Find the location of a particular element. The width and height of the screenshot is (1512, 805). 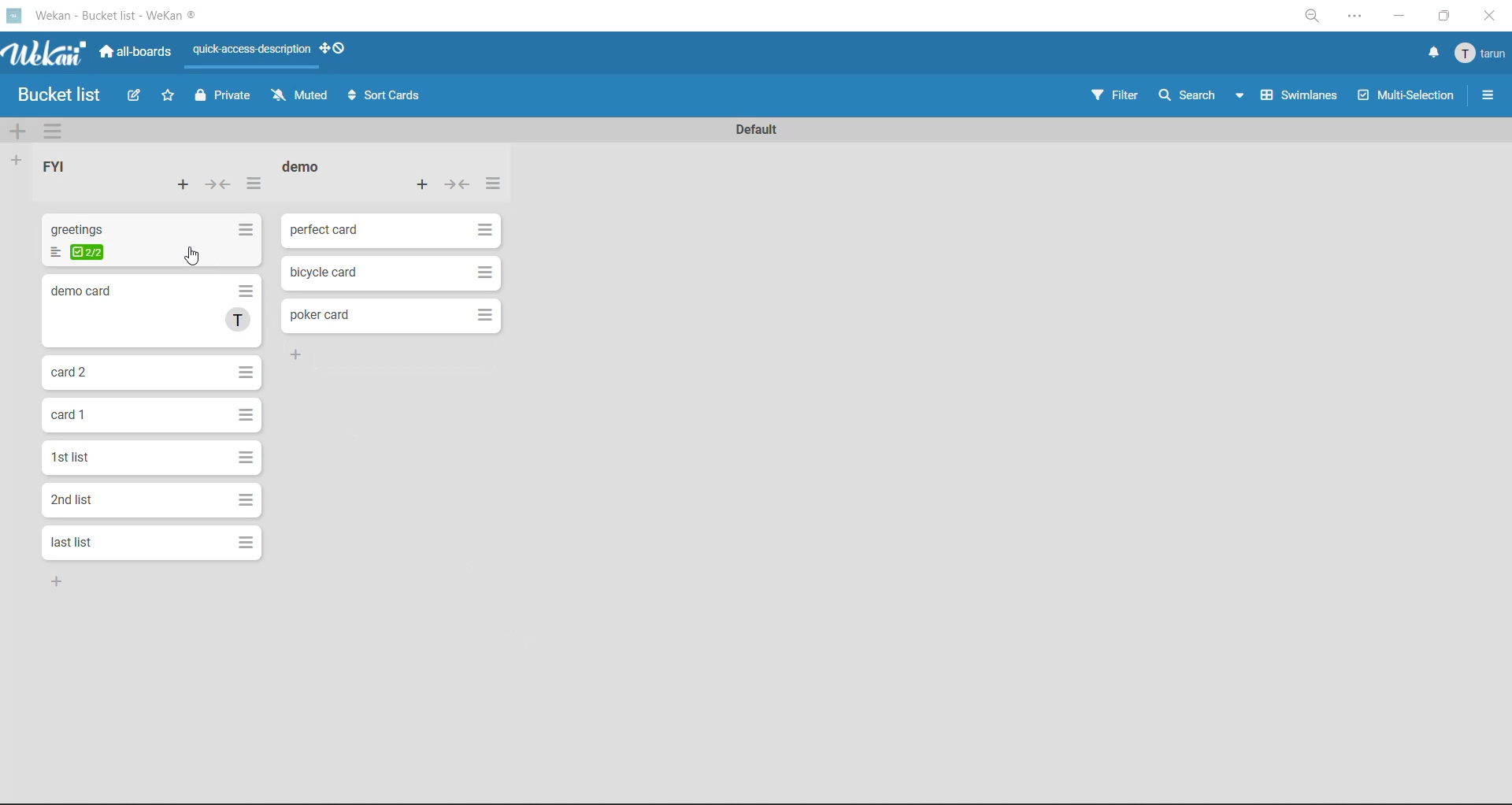

sidebar is located at coordinates (1484, 97).